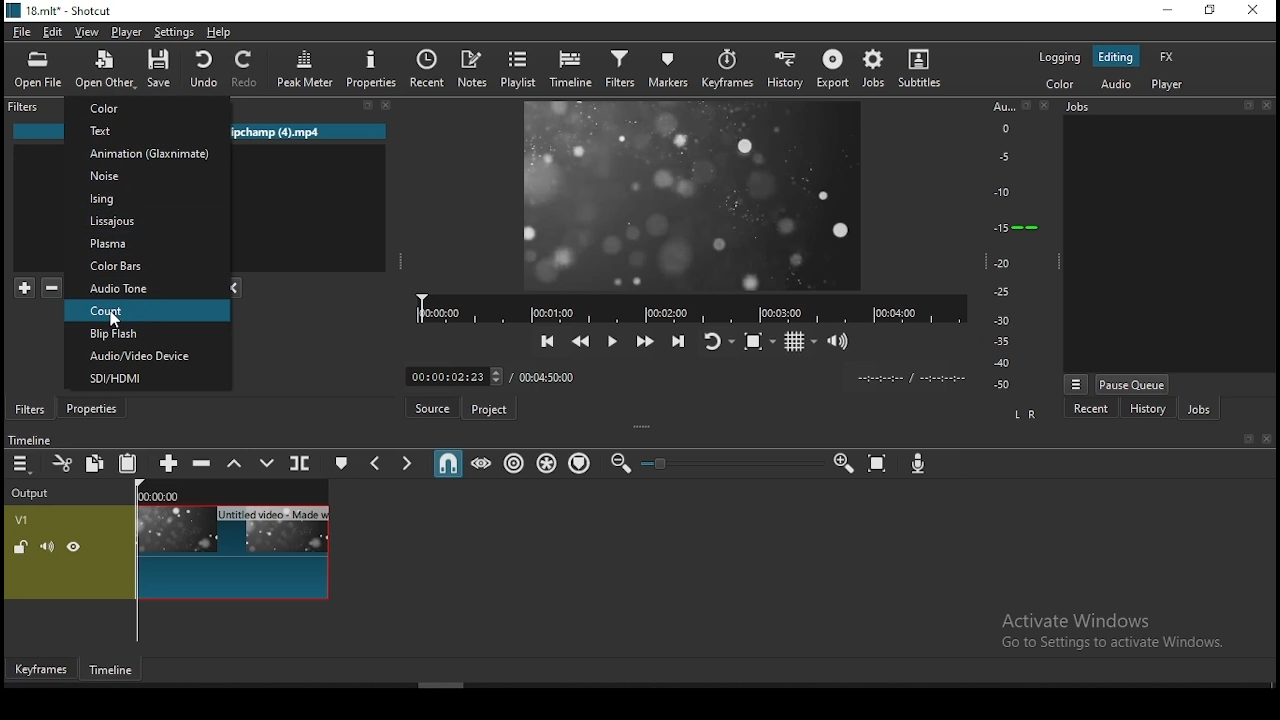 This screenshot has height=720, width=1280. Describe the element at coordinates (87, 31) in the screenshot. I see `view` at that location.